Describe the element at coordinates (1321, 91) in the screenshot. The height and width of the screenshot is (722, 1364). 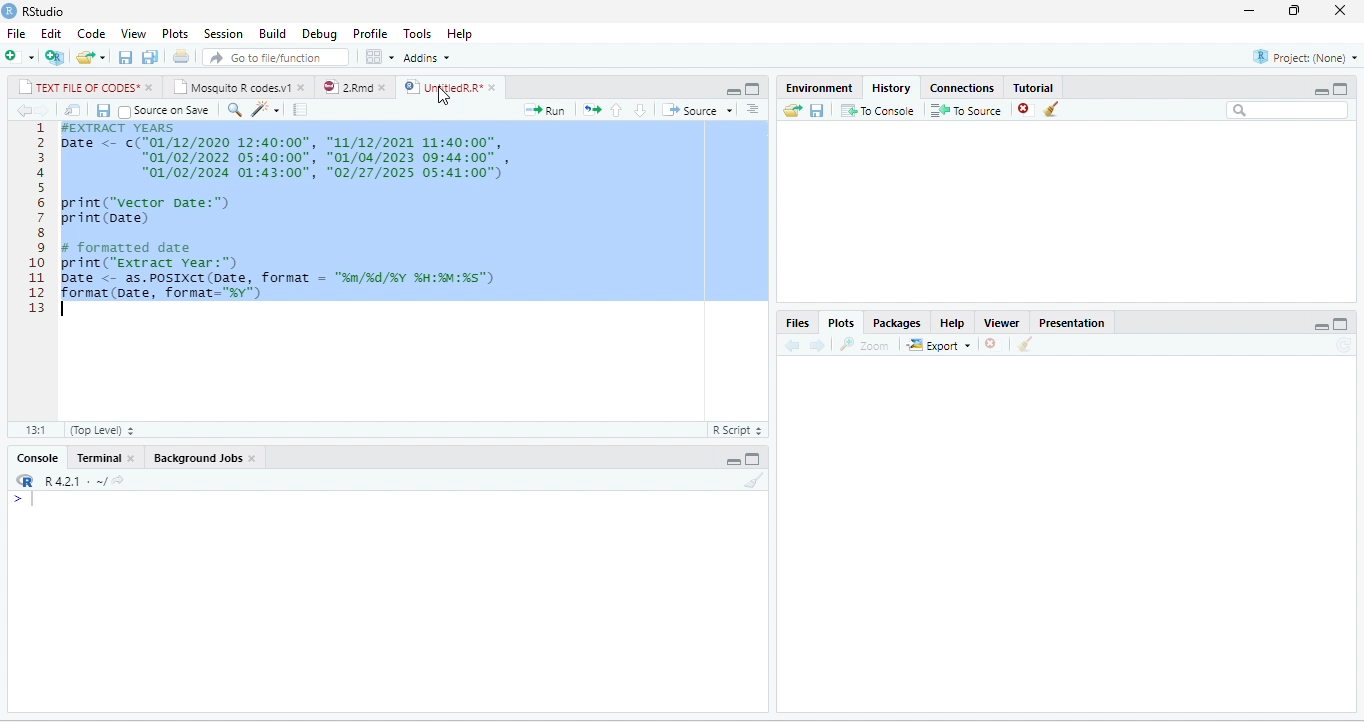
I see `minimize` at that location.